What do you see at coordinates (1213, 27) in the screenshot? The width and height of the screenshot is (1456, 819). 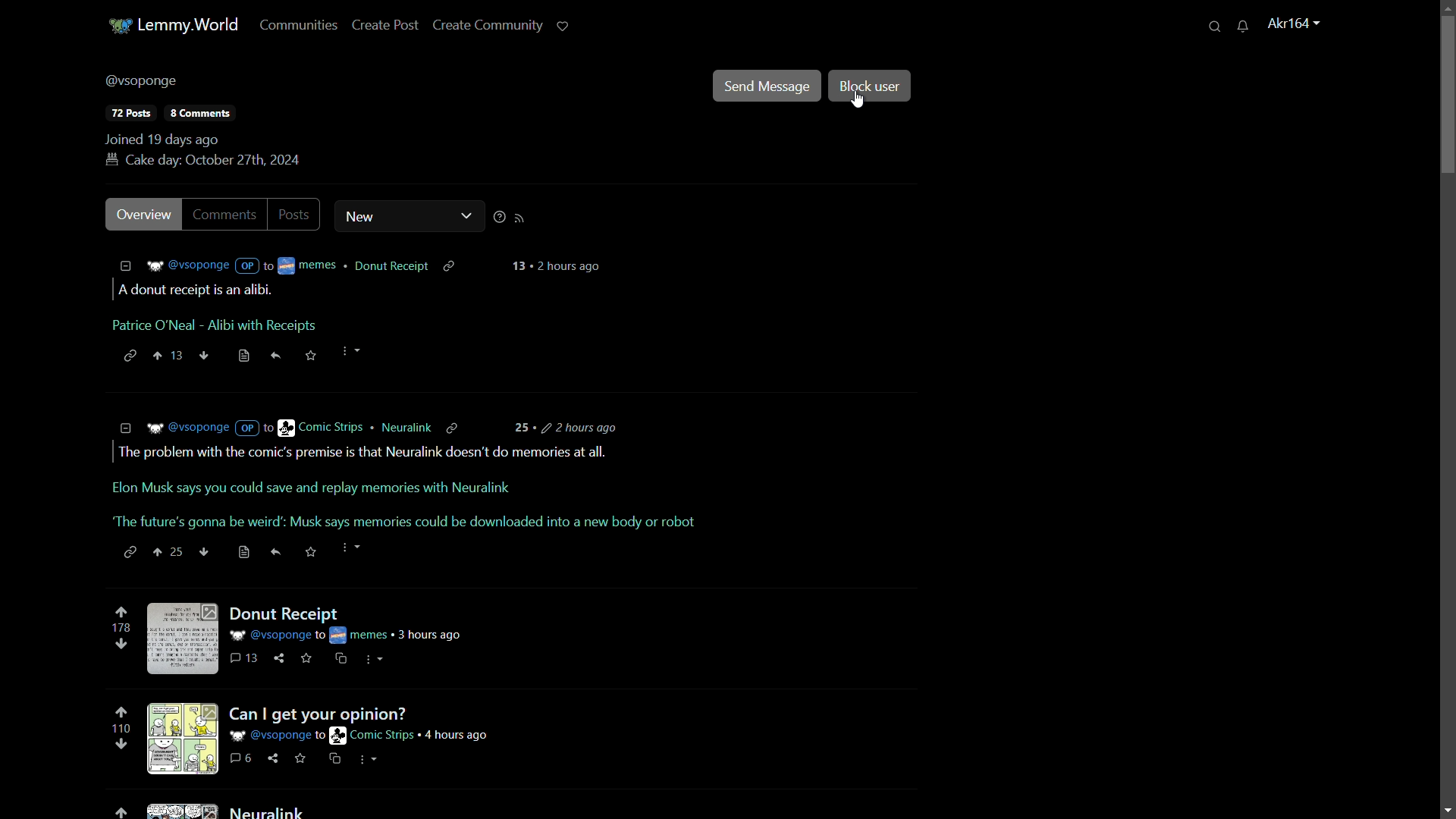 I see `search` at bounding box center [1213, 27].